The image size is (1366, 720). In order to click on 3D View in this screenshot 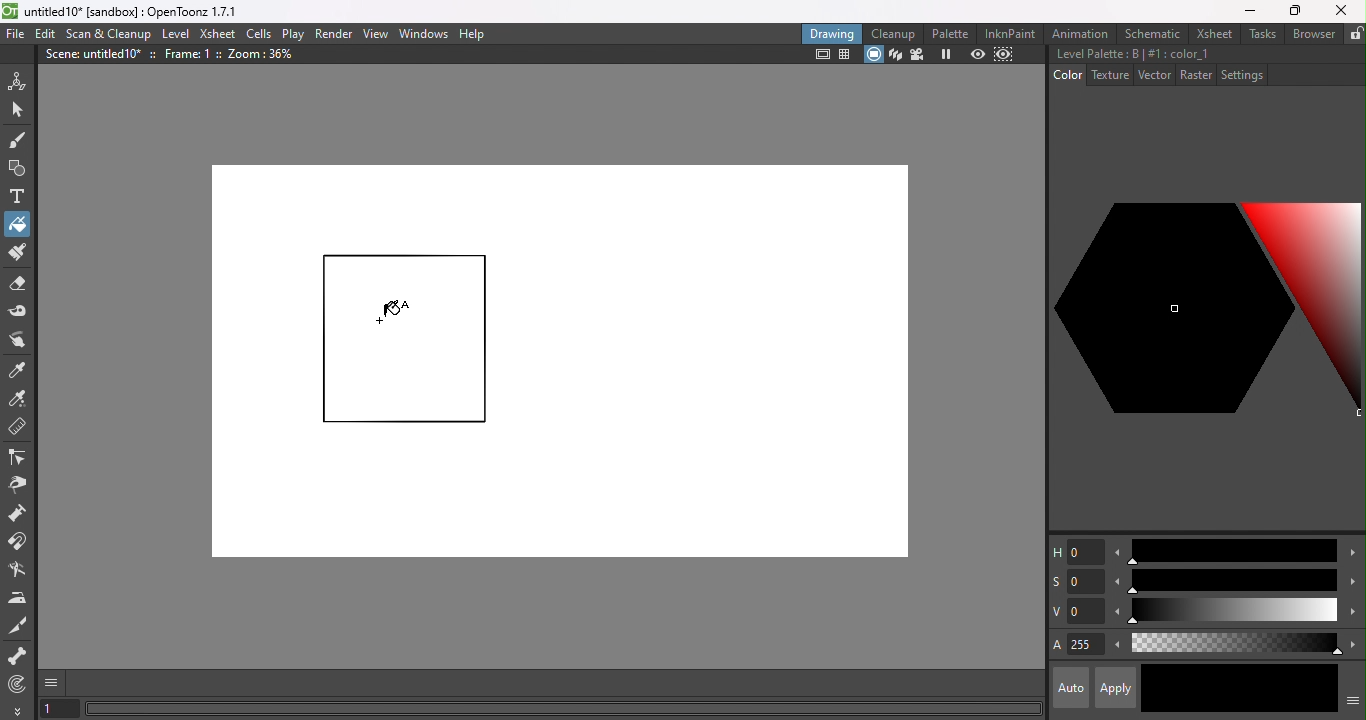, I will do `click(893, 55)`.